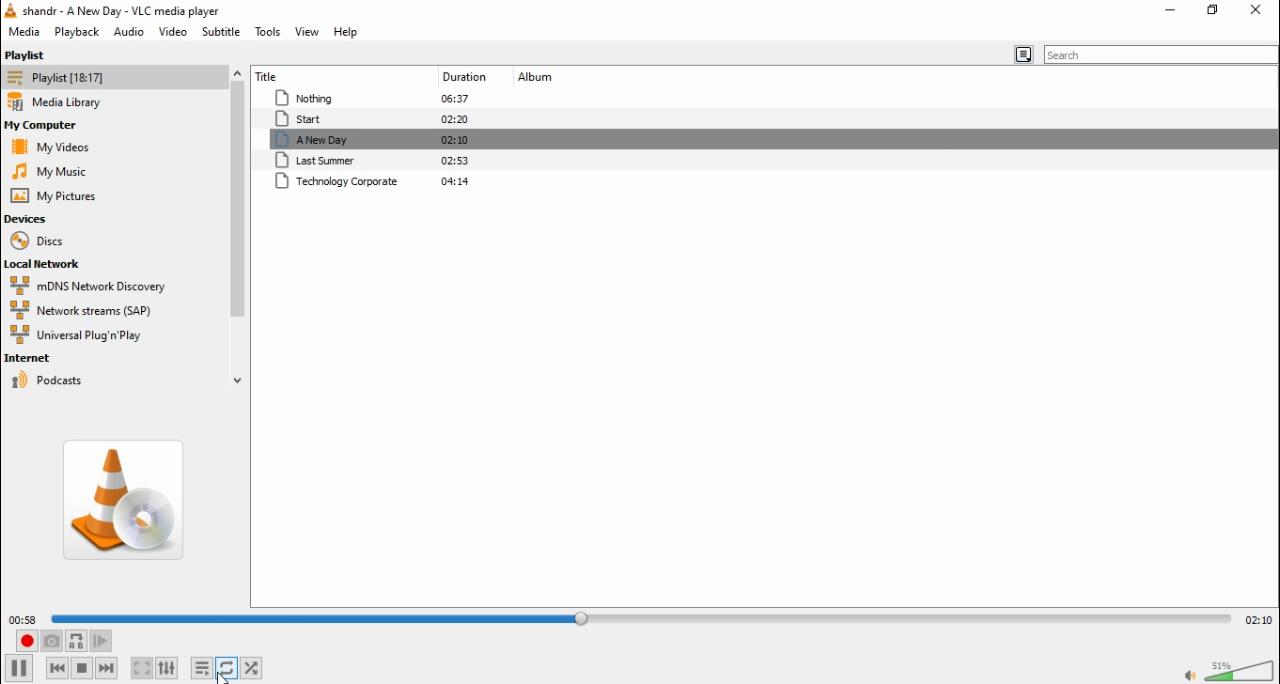  What do you see at coordinates (370, 99) in the screenshot?
I see `nothing 06:37` at bounding box center [370, 99].